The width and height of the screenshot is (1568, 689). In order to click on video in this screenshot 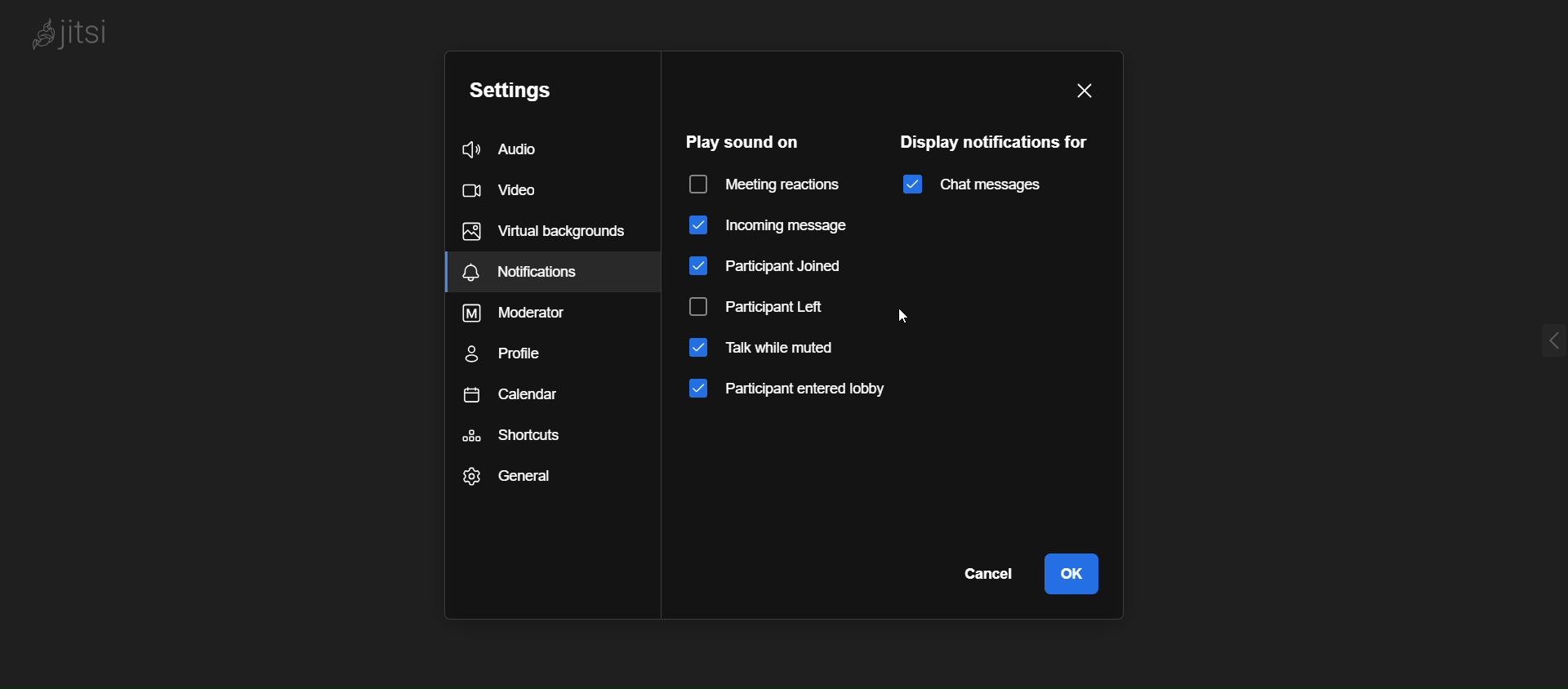, I will do `click(506, 190)`.